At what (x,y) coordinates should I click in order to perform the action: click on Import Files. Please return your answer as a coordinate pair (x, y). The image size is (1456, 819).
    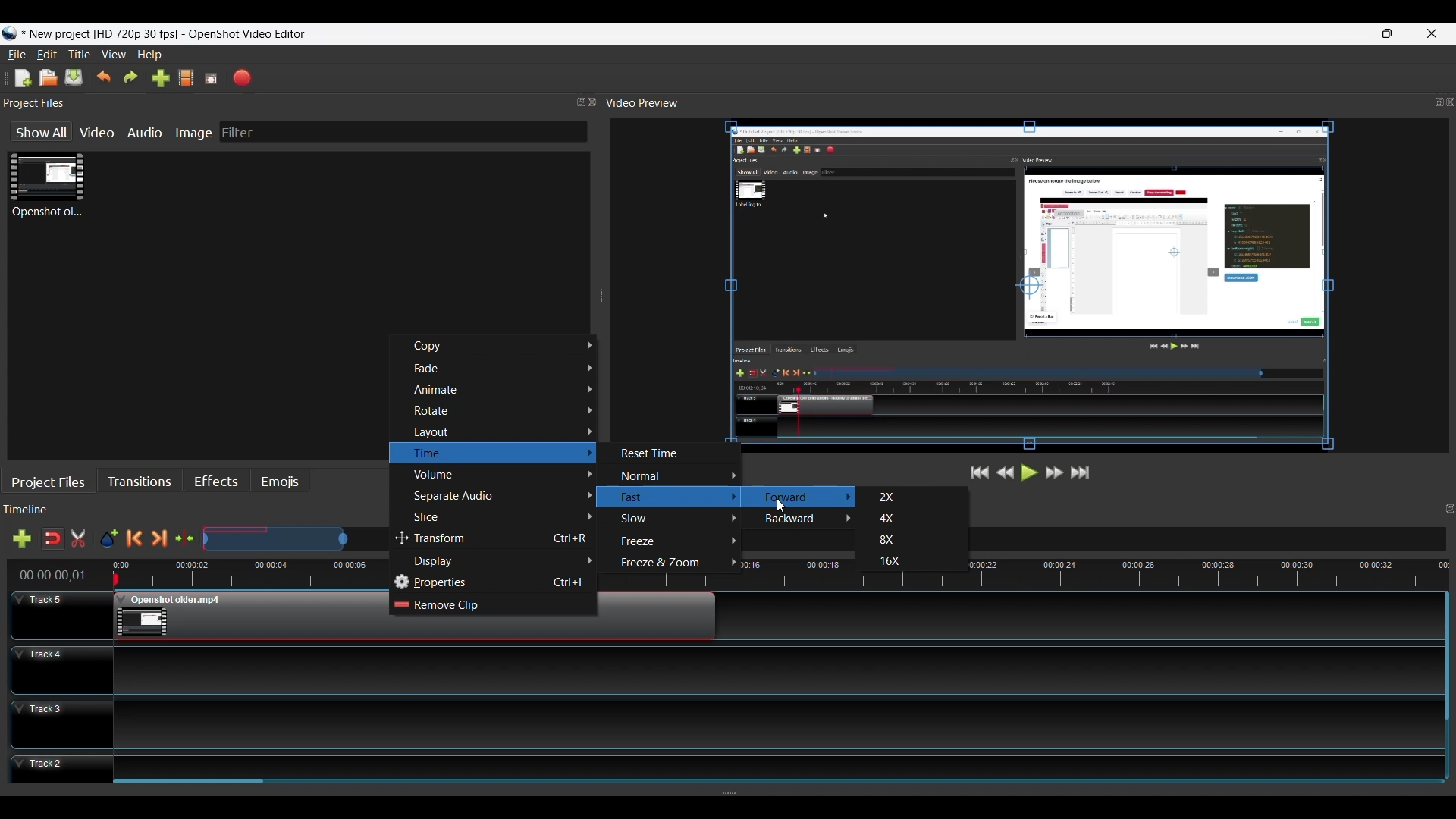
    Looking at the image, I should click on (161, 78).